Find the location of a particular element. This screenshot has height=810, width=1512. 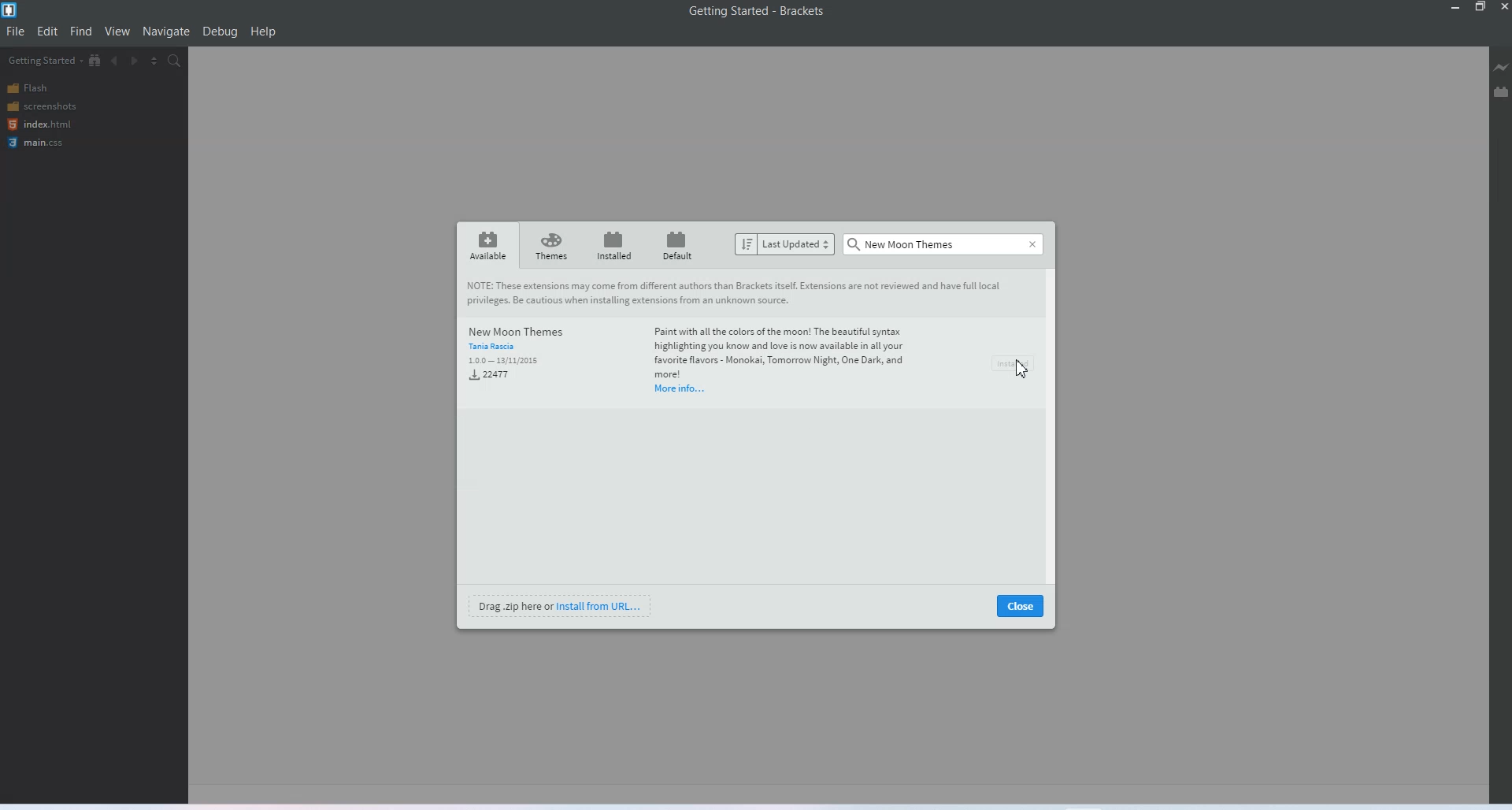

Flash is located at coordinates (39, 89).